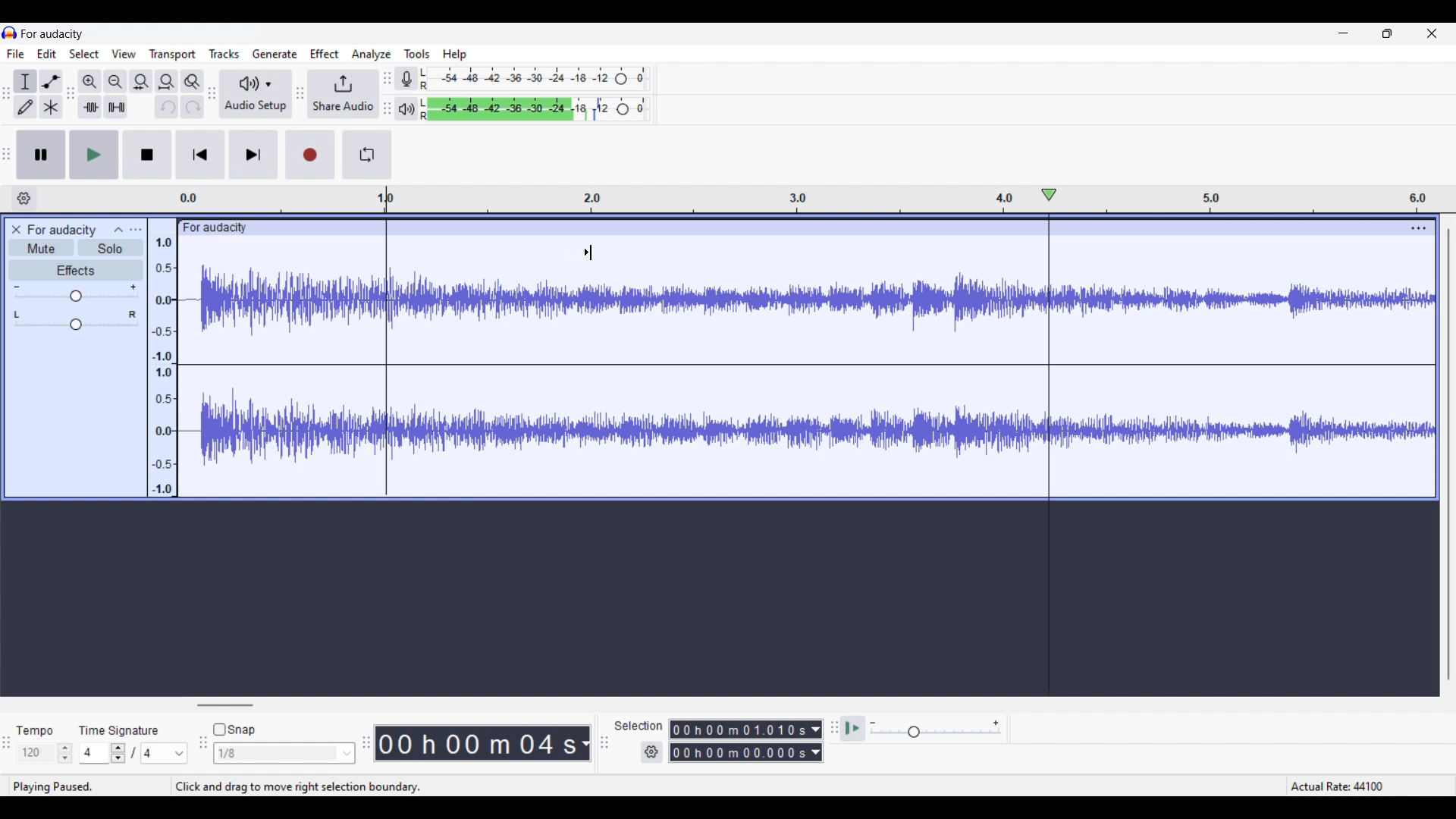 This screenshot has height=819, width=1456. Describe the element at coordinates (90, 107) in the screenshot. I see `Trim audio outside selection` at that location.